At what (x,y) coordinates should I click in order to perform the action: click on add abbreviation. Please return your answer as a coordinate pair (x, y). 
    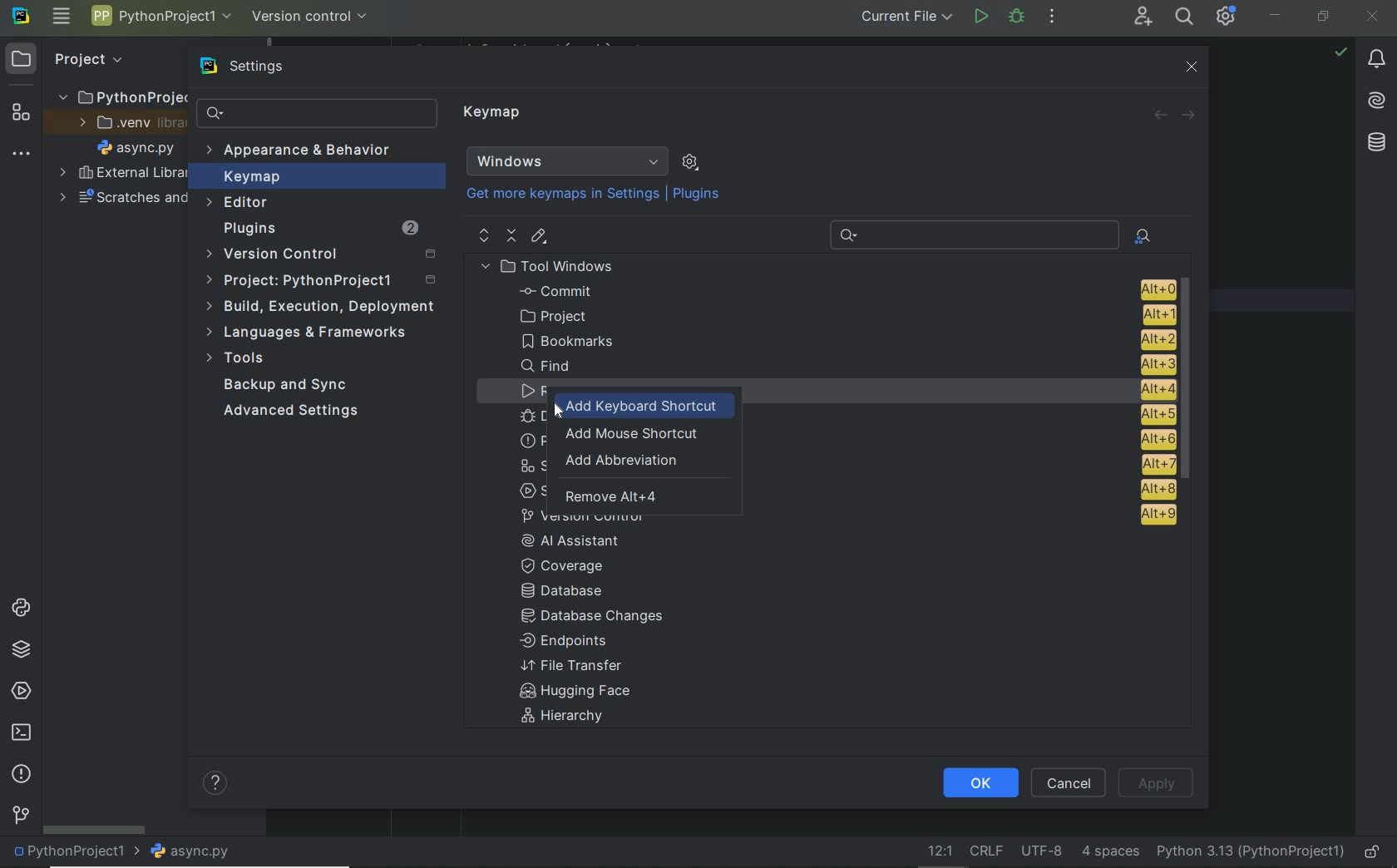
    Looking at the image, I should click on (625, 462).